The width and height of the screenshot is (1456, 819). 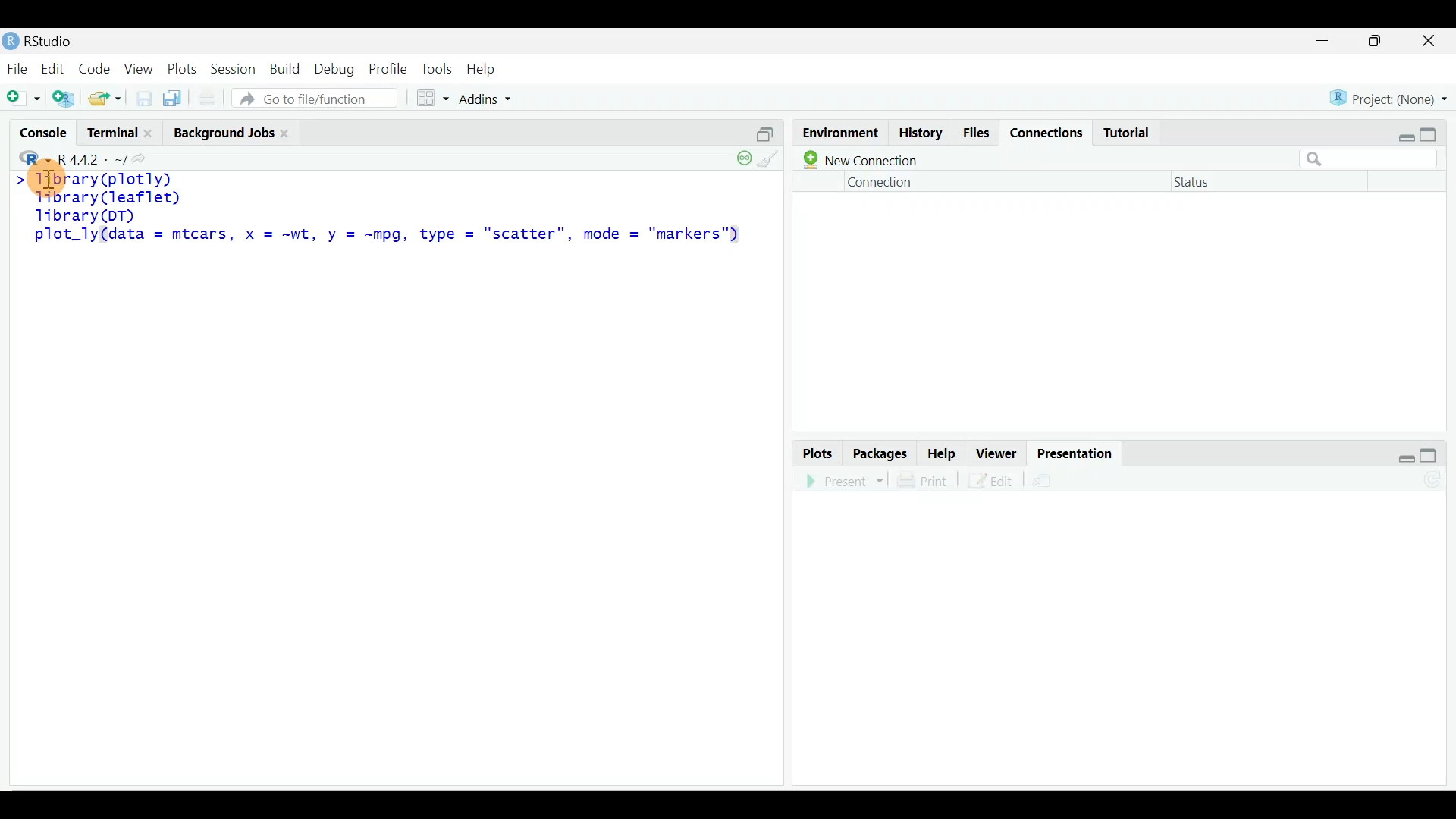 I want to click on Build, so click(x=286, y=69).